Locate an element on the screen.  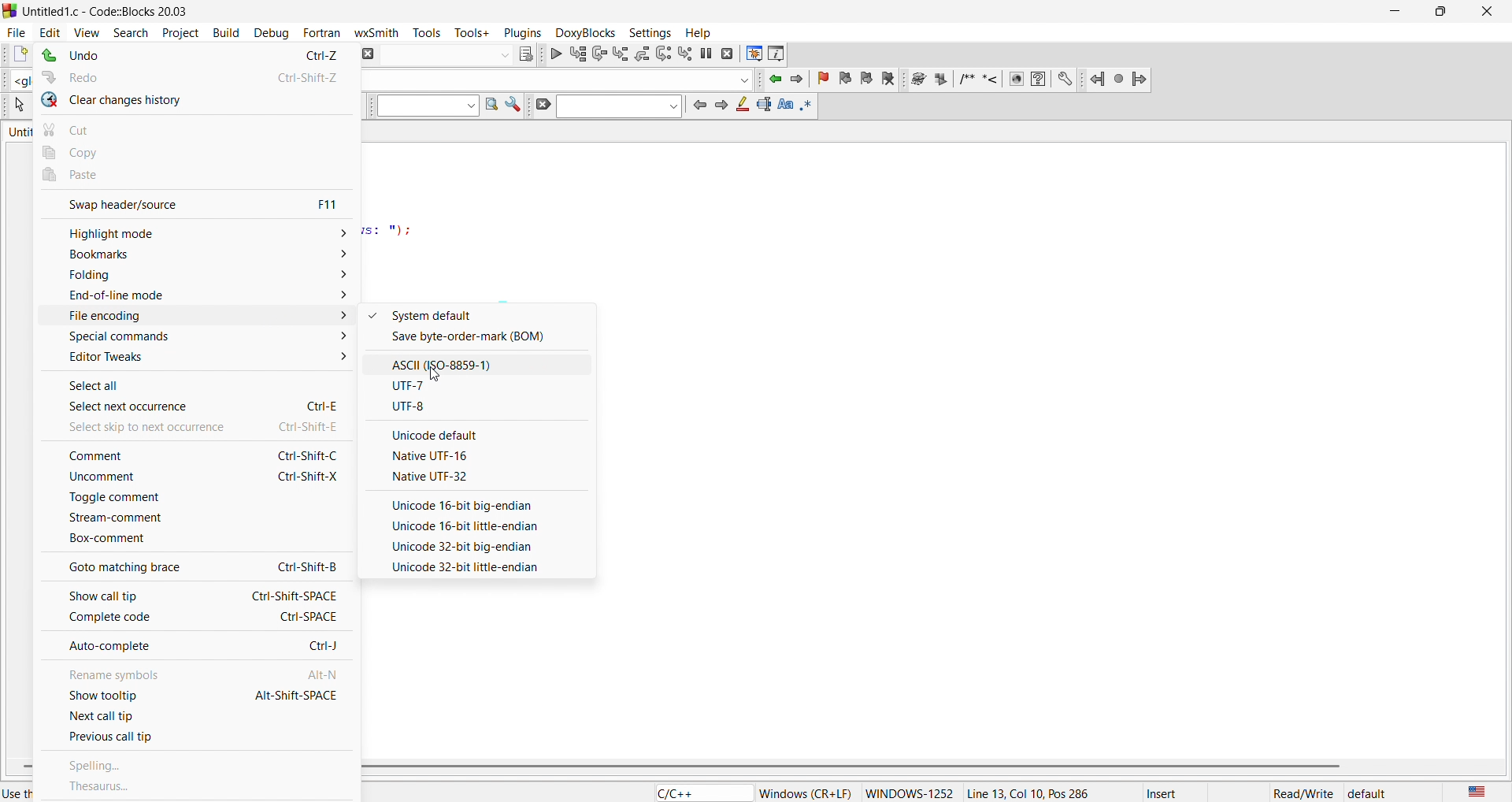
ASCIII is located at coordinates (479, 363).